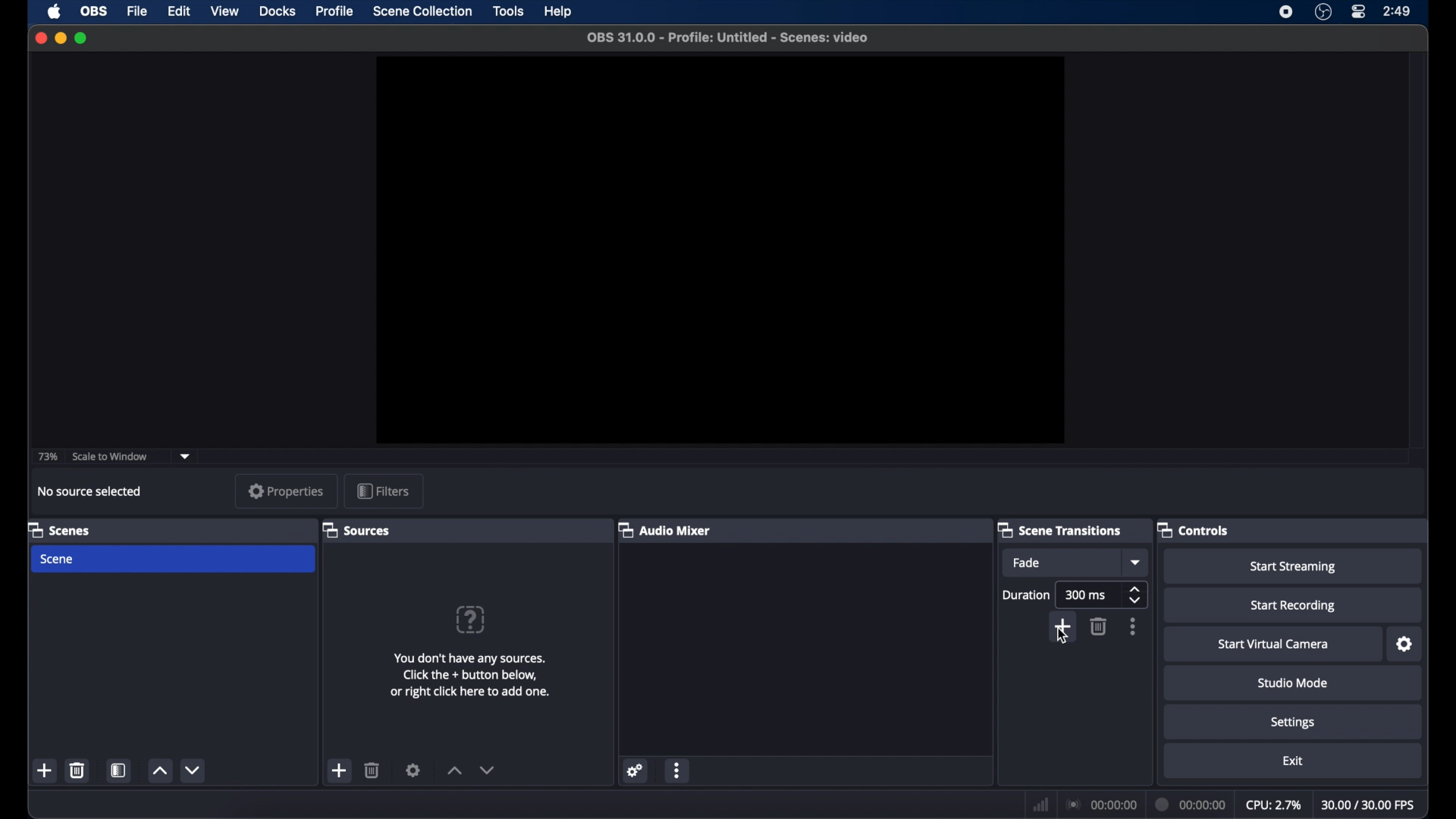 This screenshot has width=1456, height=819. What do you see at coordinates (372, 770) in the screenshot?
I see `delete` at bounding box center [372, 770].